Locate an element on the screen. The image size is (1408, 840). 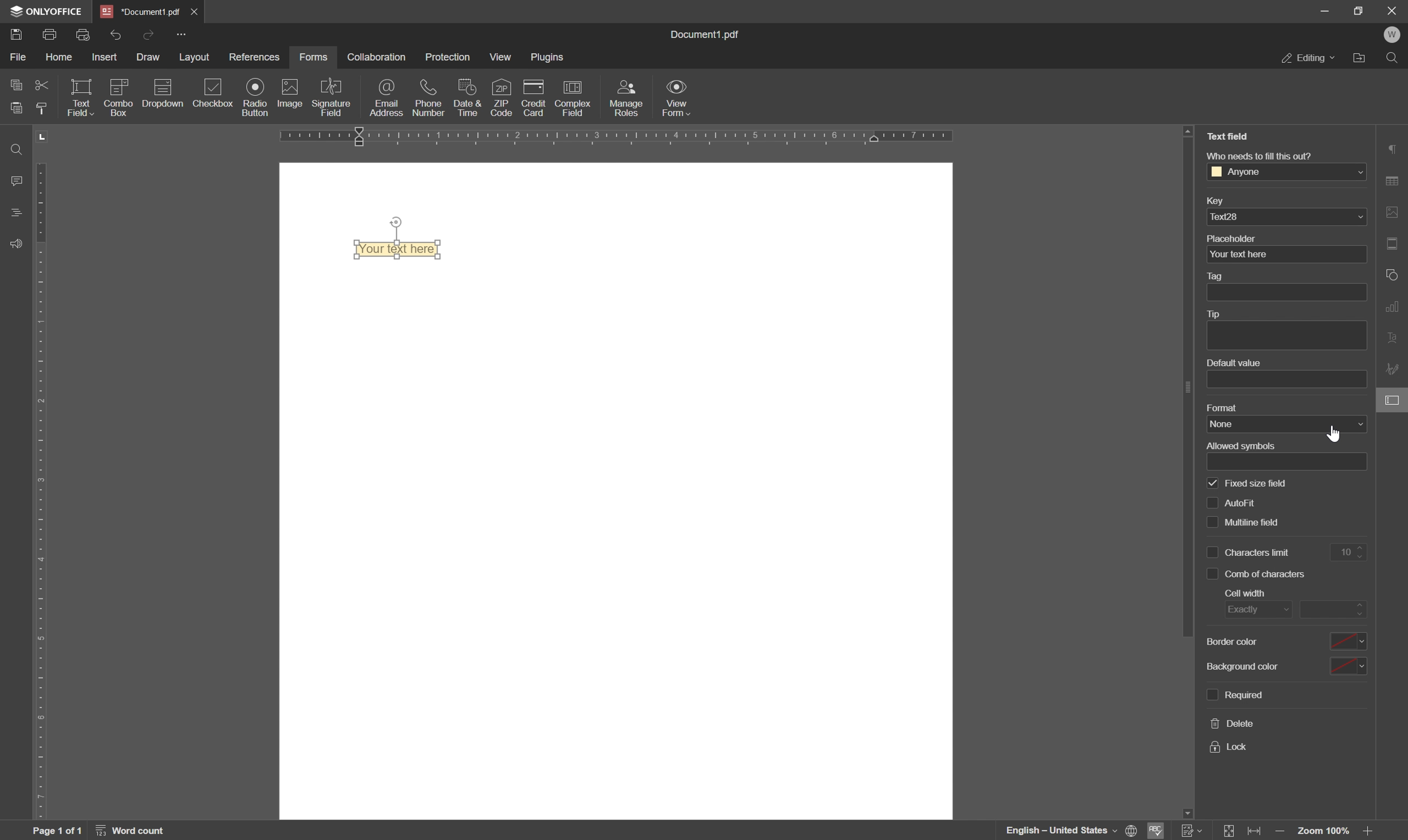
cut is located at coordinates (38, 86).